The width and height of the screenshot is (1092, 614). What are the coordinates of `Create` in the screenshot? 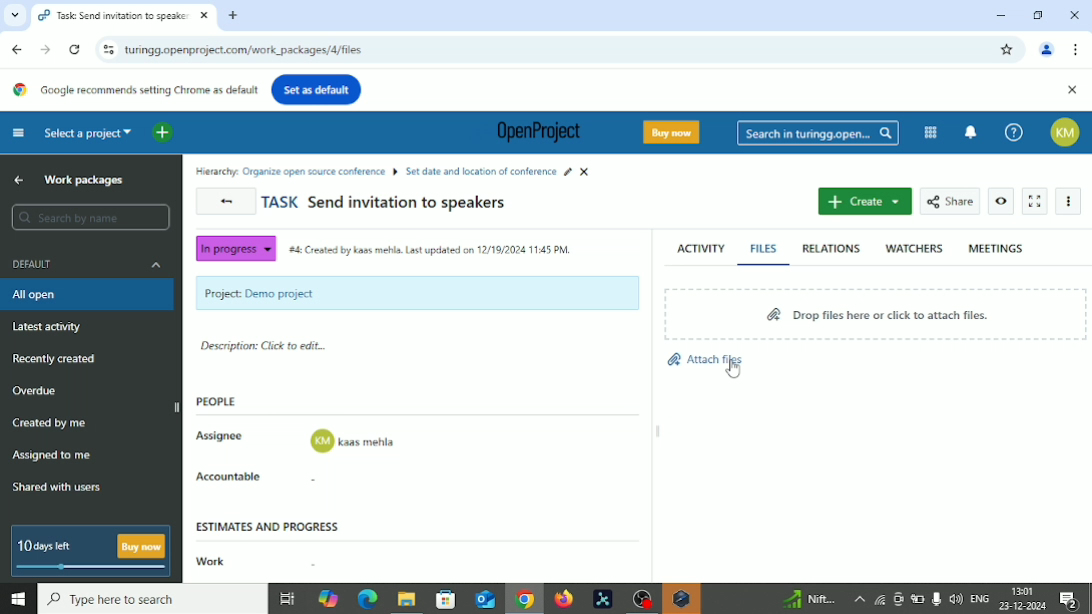 It's located at (864, 202).